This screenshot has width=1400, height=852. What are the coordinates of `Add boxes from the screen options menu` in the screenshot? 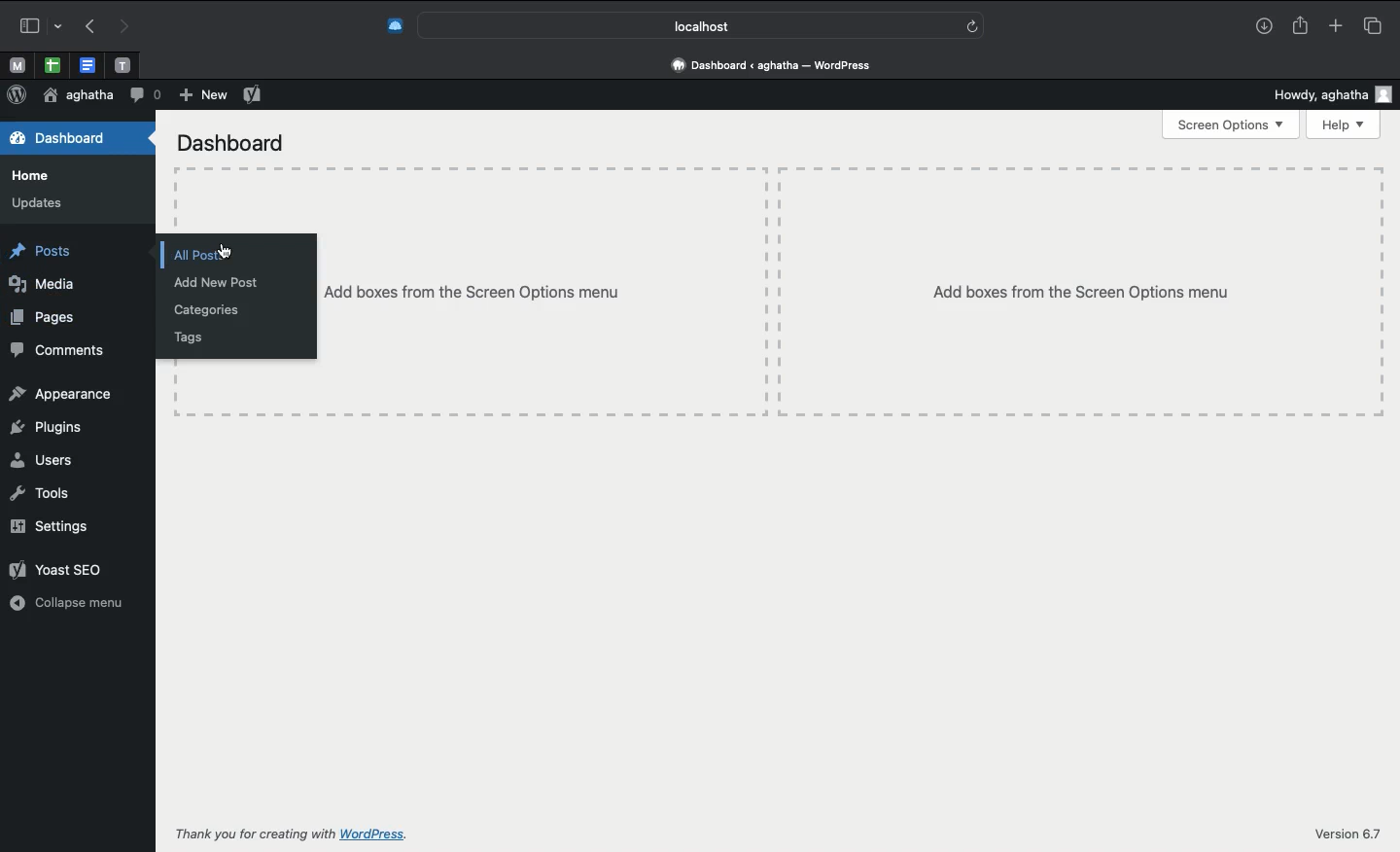 It's located at (850, 292).